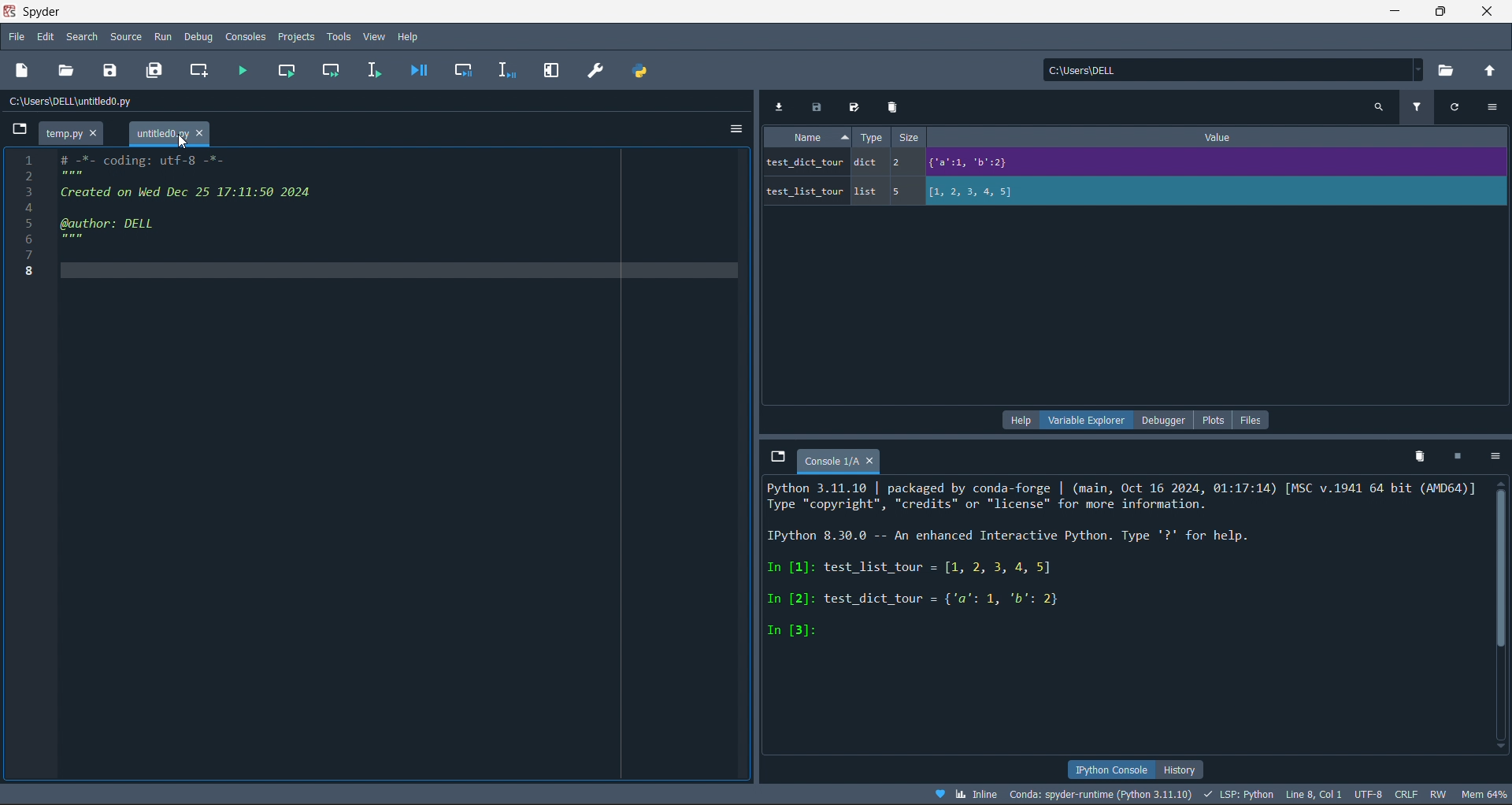 Image resolution: width=1512 pixels, height=805 pixels. What do you see at coordinates (502, 69) in the screenshot?
I see `debug line` at bounding box center [502, 69].